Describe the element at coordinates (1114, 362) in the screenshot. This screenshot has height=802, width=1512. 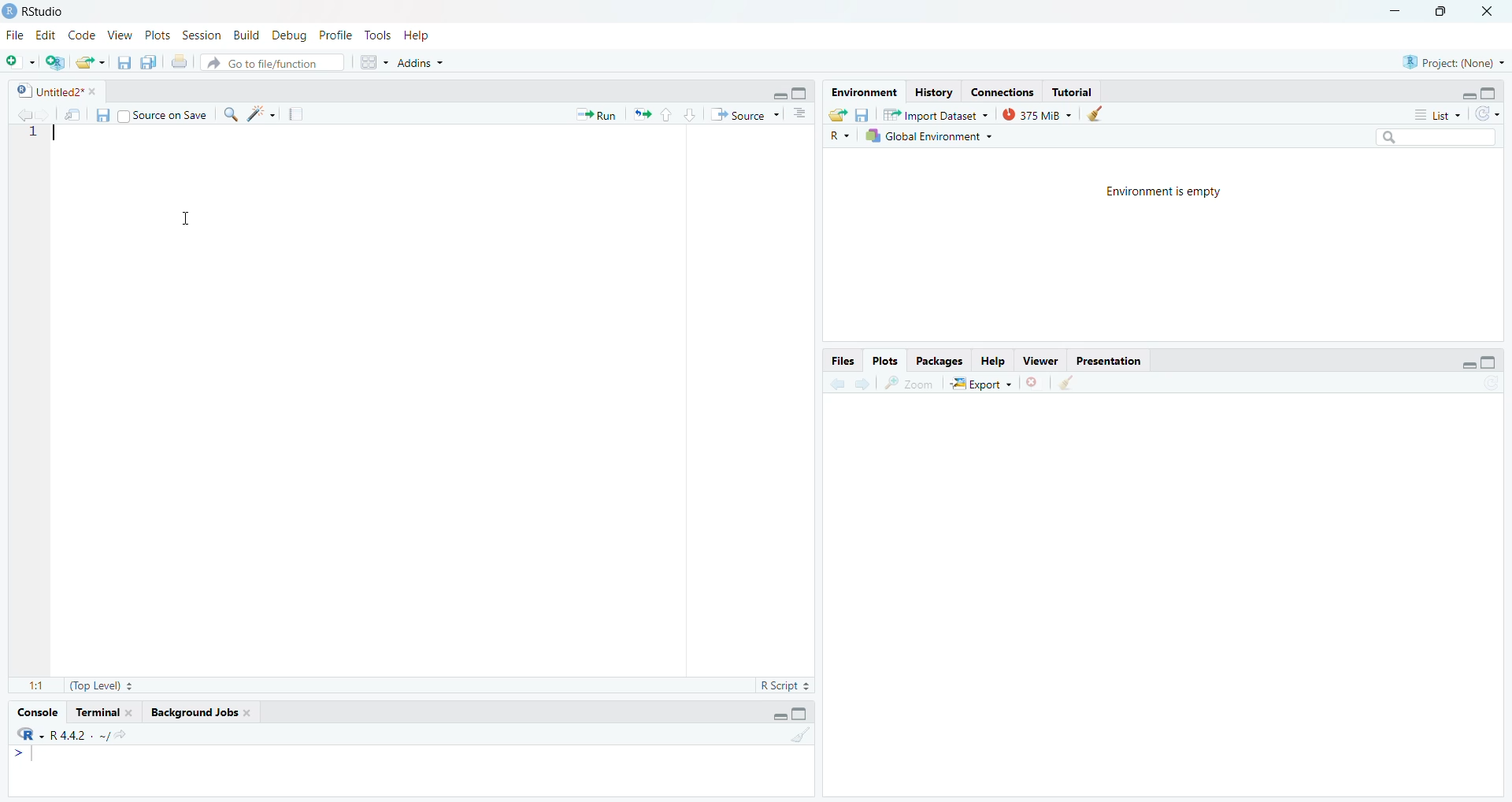
I see `Presentation` at that location.